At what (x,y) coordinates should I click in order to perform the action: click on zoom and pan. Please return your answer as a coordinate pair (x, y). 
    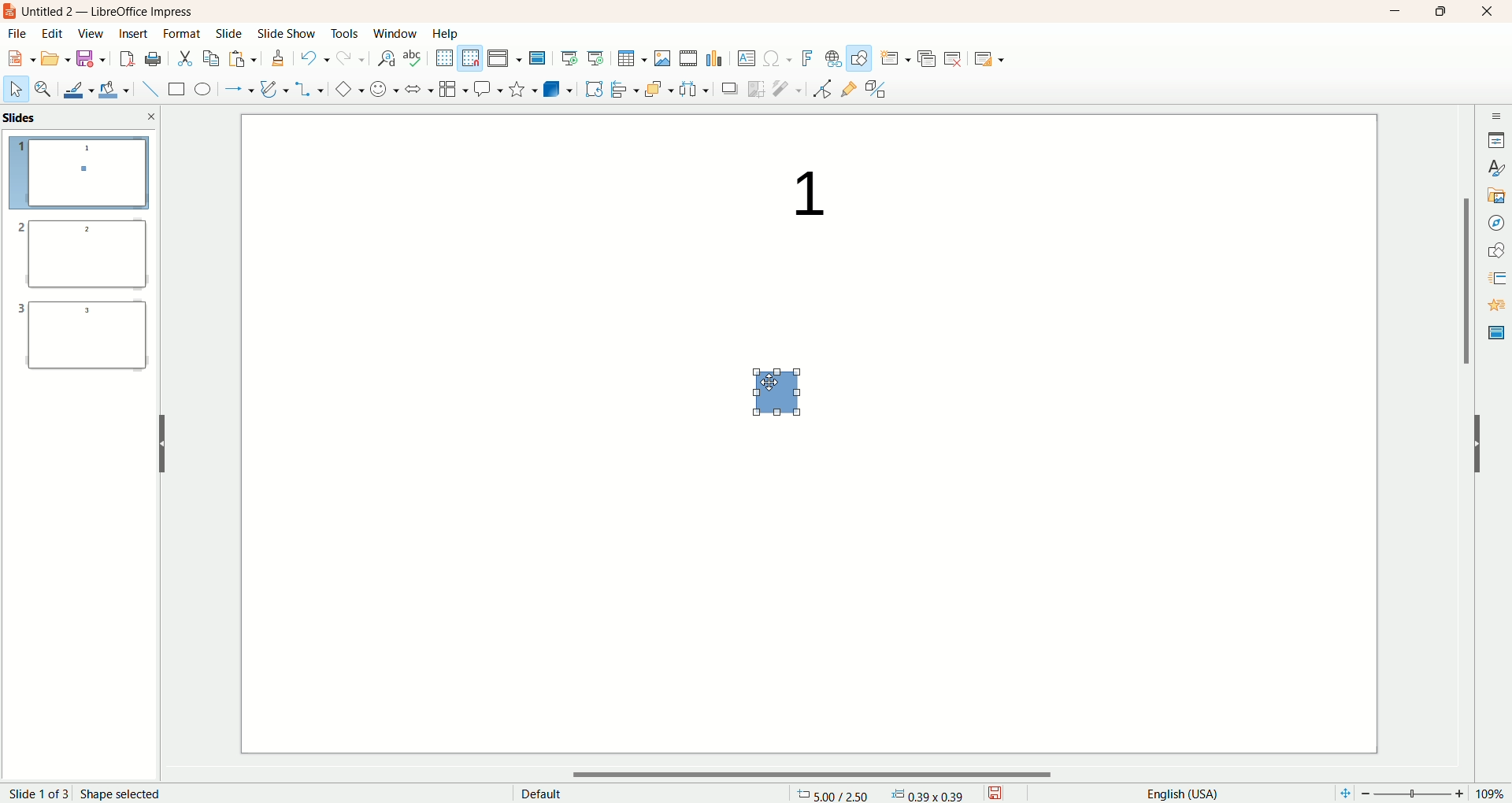
    Looking at the image, I should click on (42, 90).